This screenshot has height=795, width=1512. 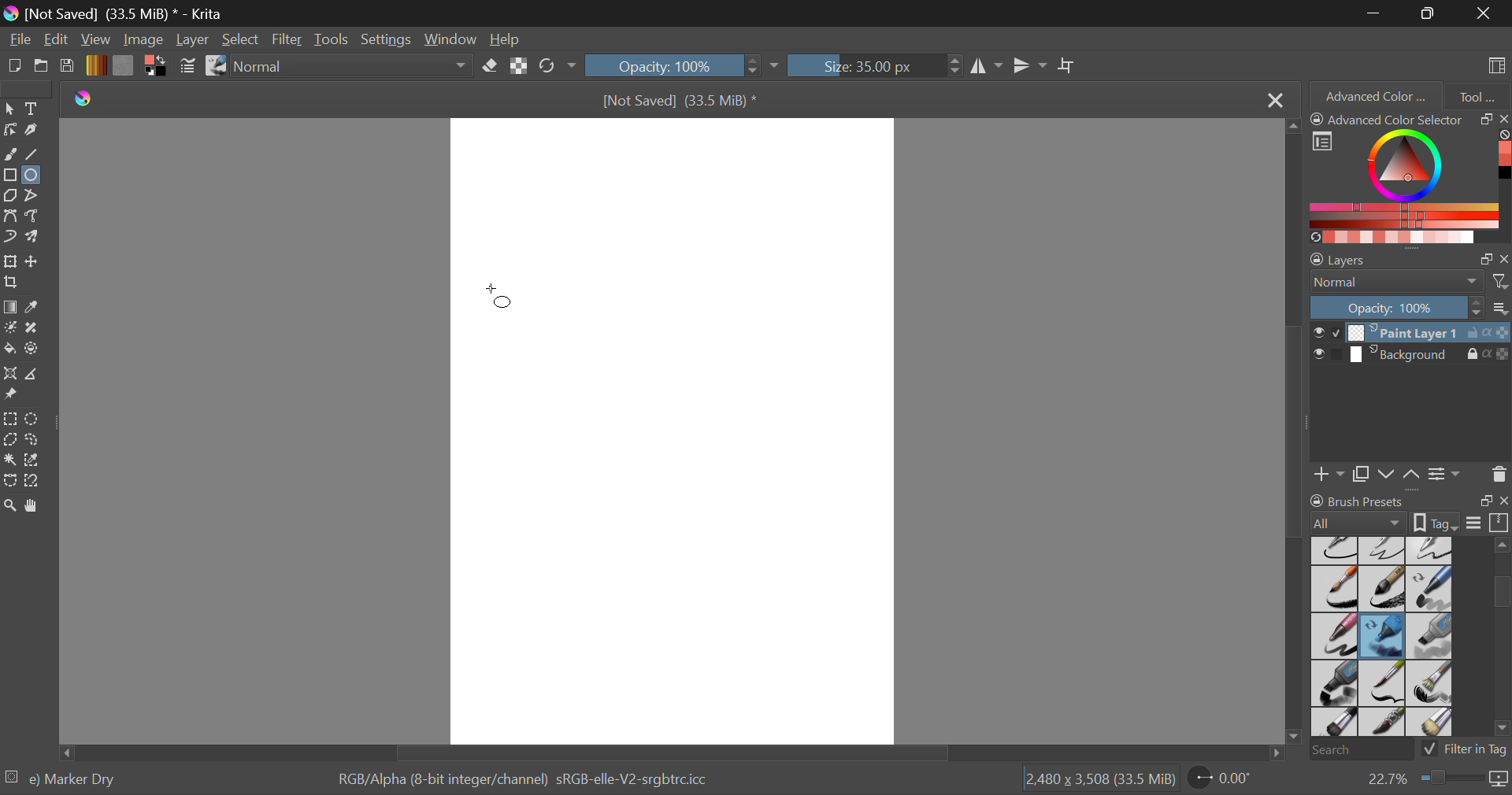 What do you see at coordinates (15, 68) in the screenshot?
I see `New` at bounding box center [15, 68].